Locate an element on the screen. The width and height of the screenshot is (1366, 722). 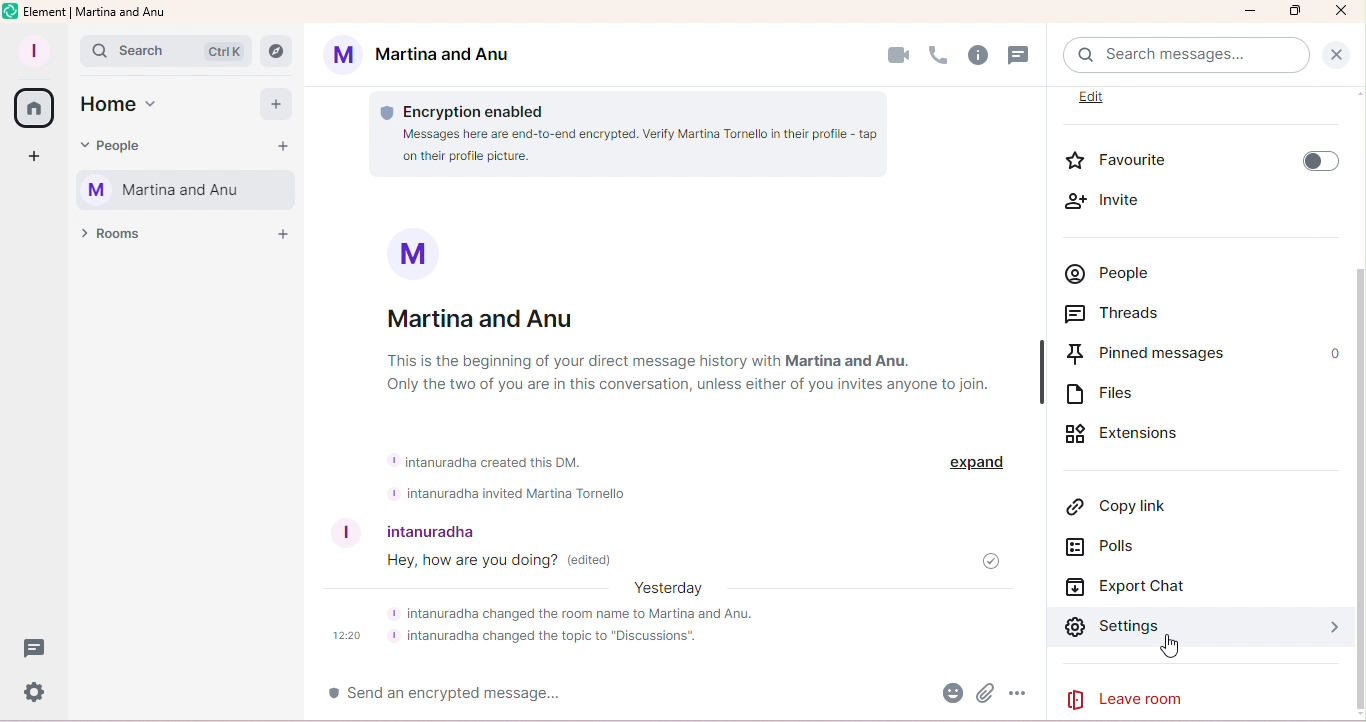
Threads is located at coordinates (1020, 56).